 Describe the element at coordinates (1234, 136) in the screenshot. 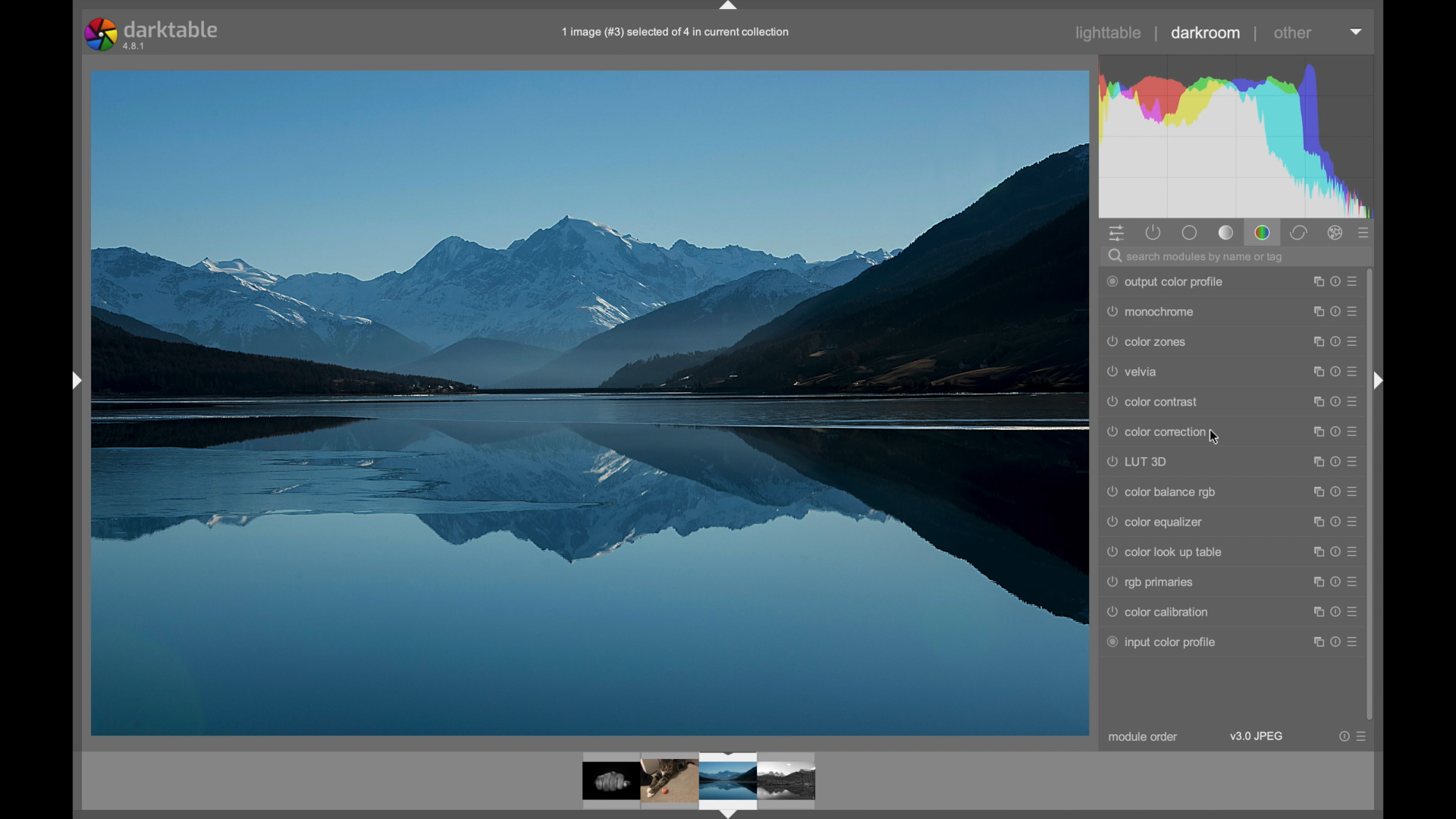

I see `histogram` at that location.